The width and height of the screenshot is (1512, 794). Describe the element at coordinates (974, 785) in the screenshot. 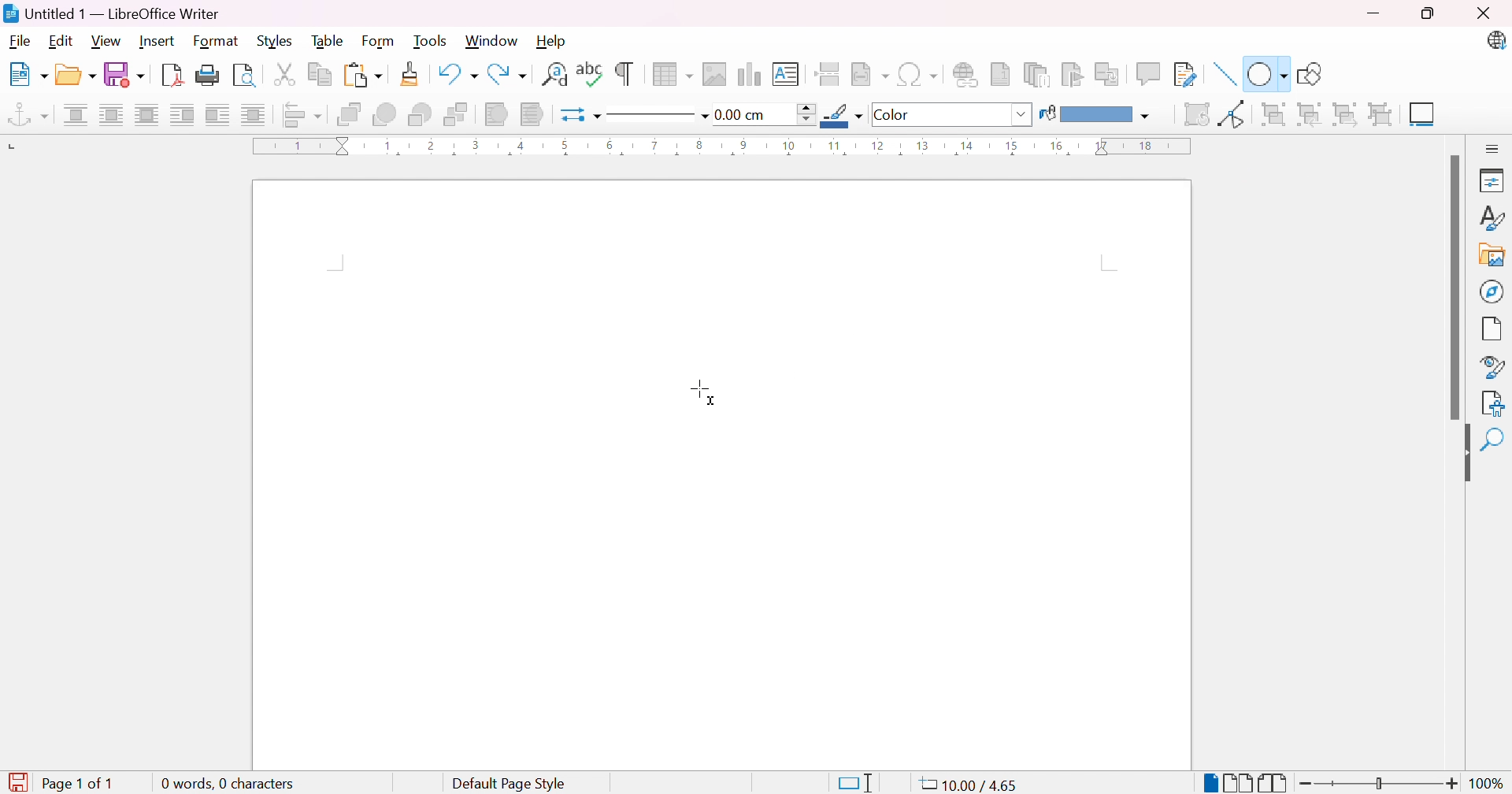

I see `10.00/4.65` at that location.